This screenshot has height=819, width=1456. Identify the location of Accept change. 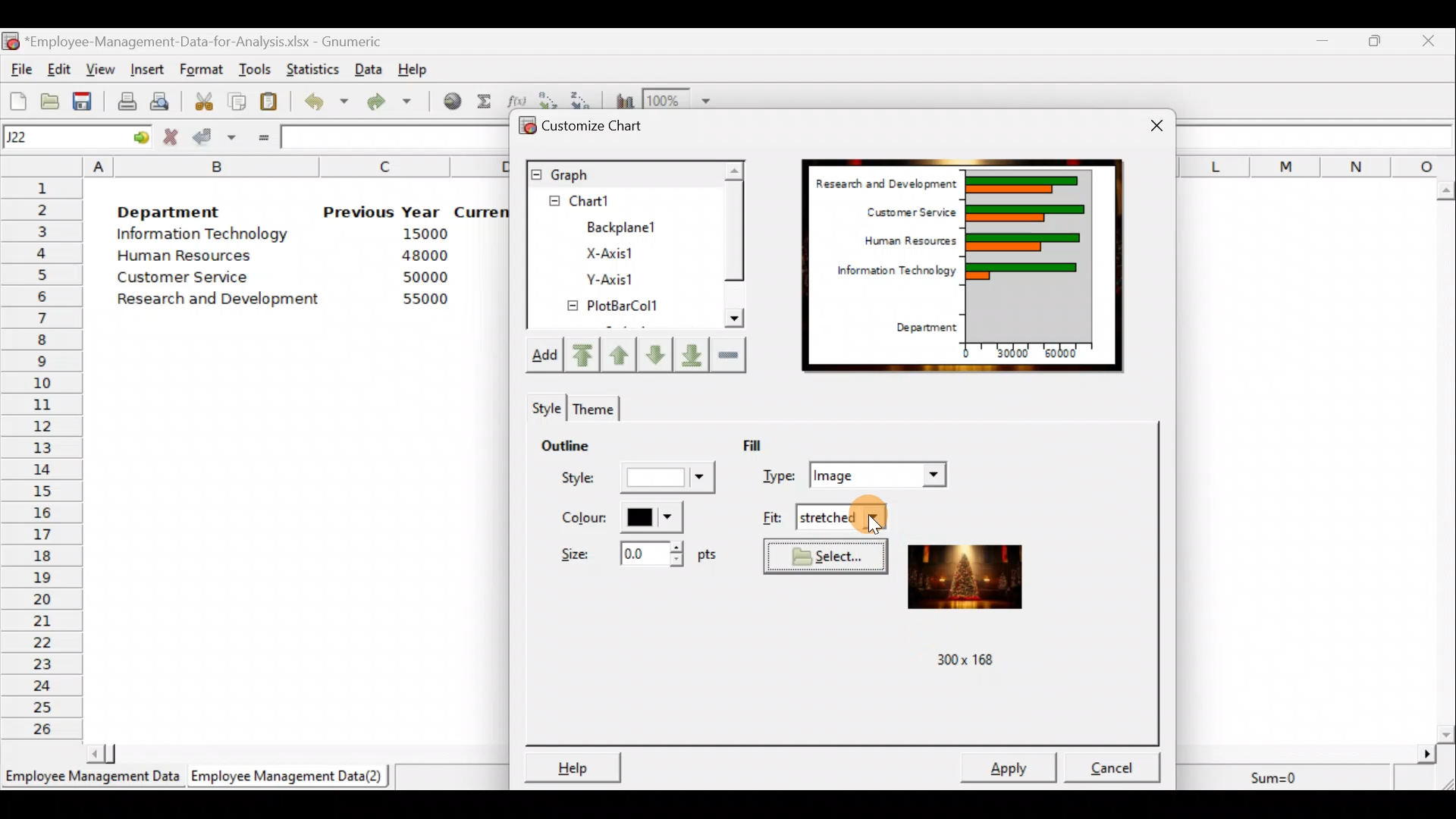
(214, 139).